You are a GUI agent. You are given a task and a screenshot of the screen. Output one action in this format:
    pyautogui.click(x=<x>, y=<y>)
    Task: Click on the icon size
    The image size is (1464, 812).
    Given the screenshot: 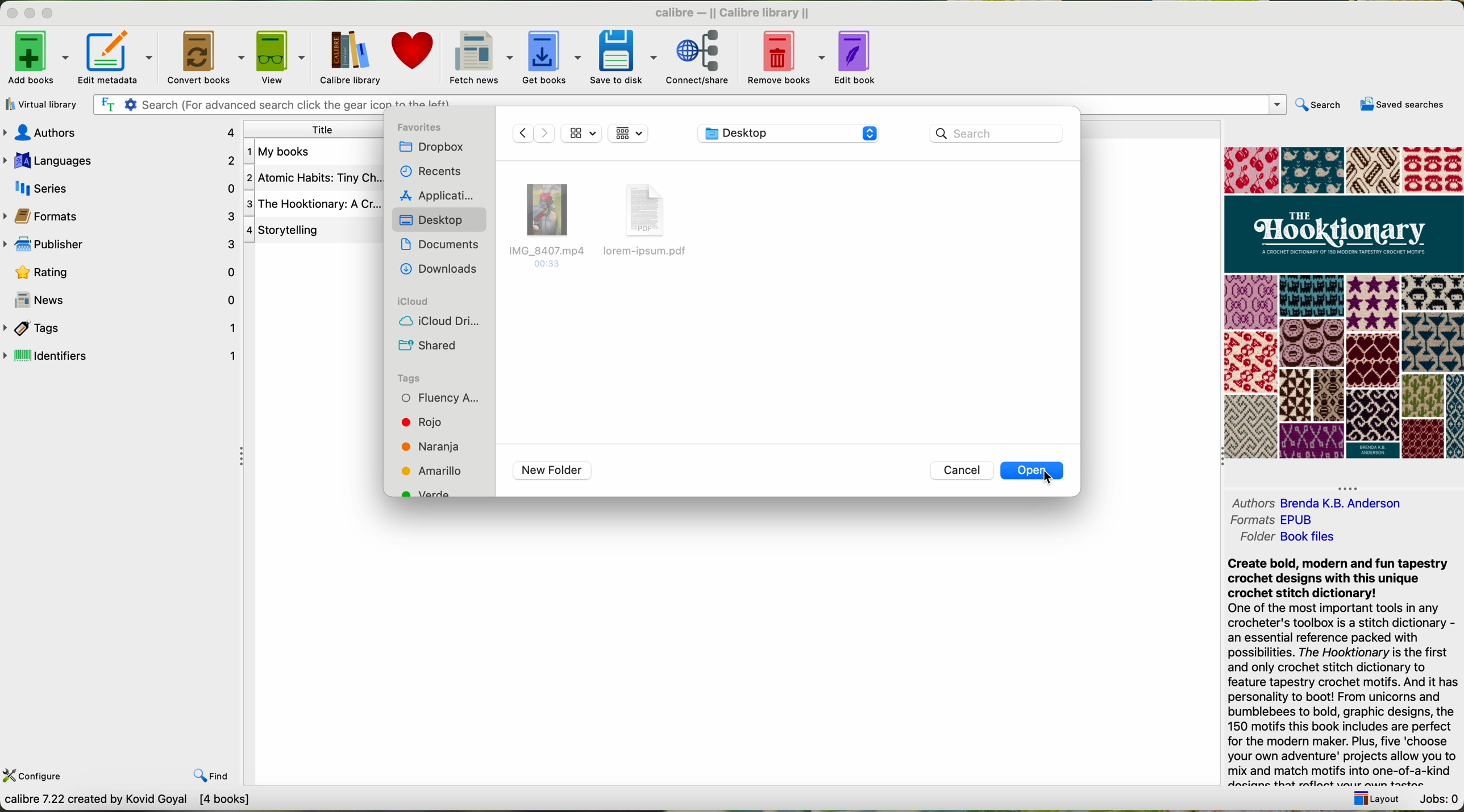 What is the action you would take?
    pyautogui.click(x=584, y=132)
    